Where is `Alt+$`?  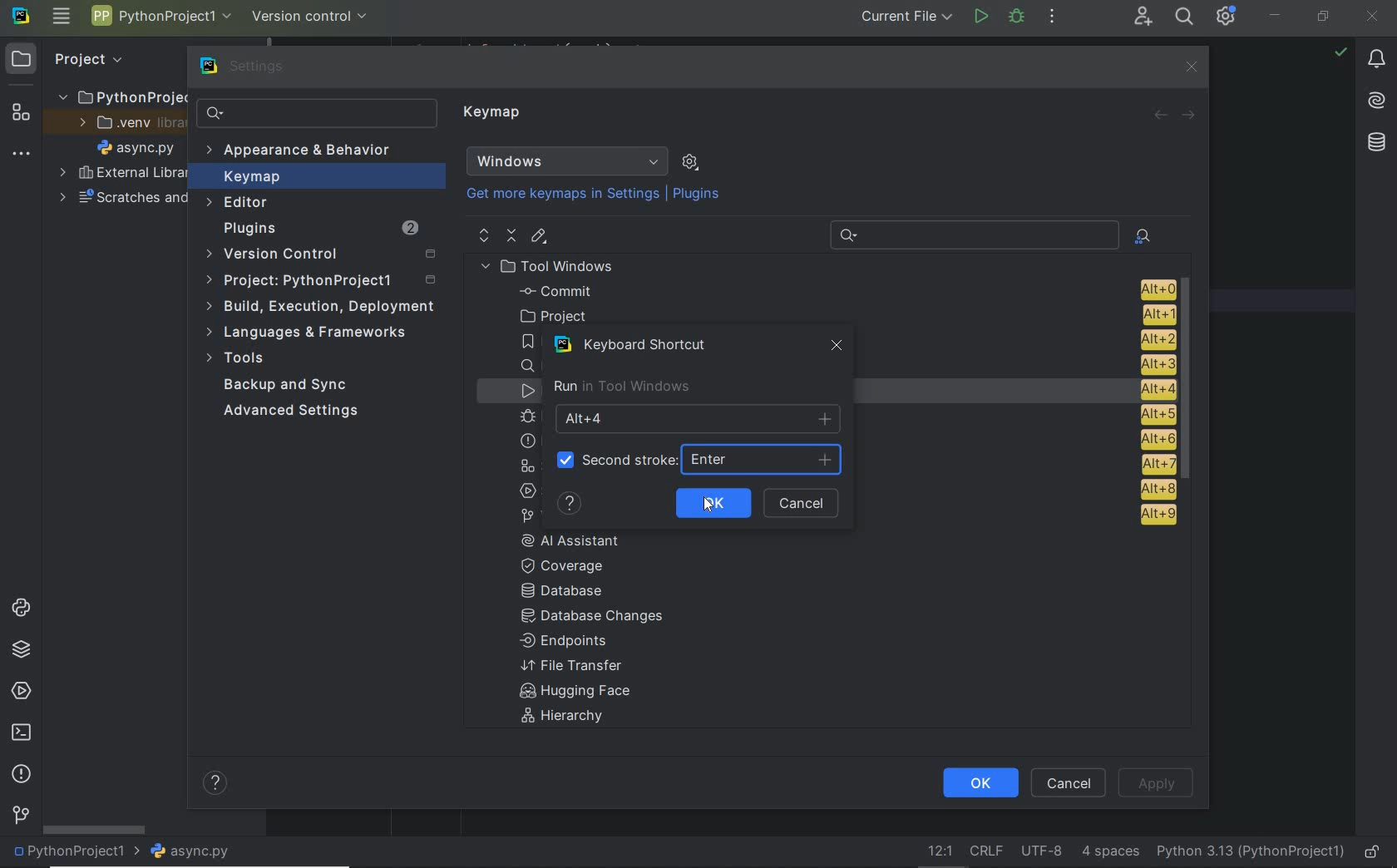 Alt+$ is located at coordinates (699, 418).